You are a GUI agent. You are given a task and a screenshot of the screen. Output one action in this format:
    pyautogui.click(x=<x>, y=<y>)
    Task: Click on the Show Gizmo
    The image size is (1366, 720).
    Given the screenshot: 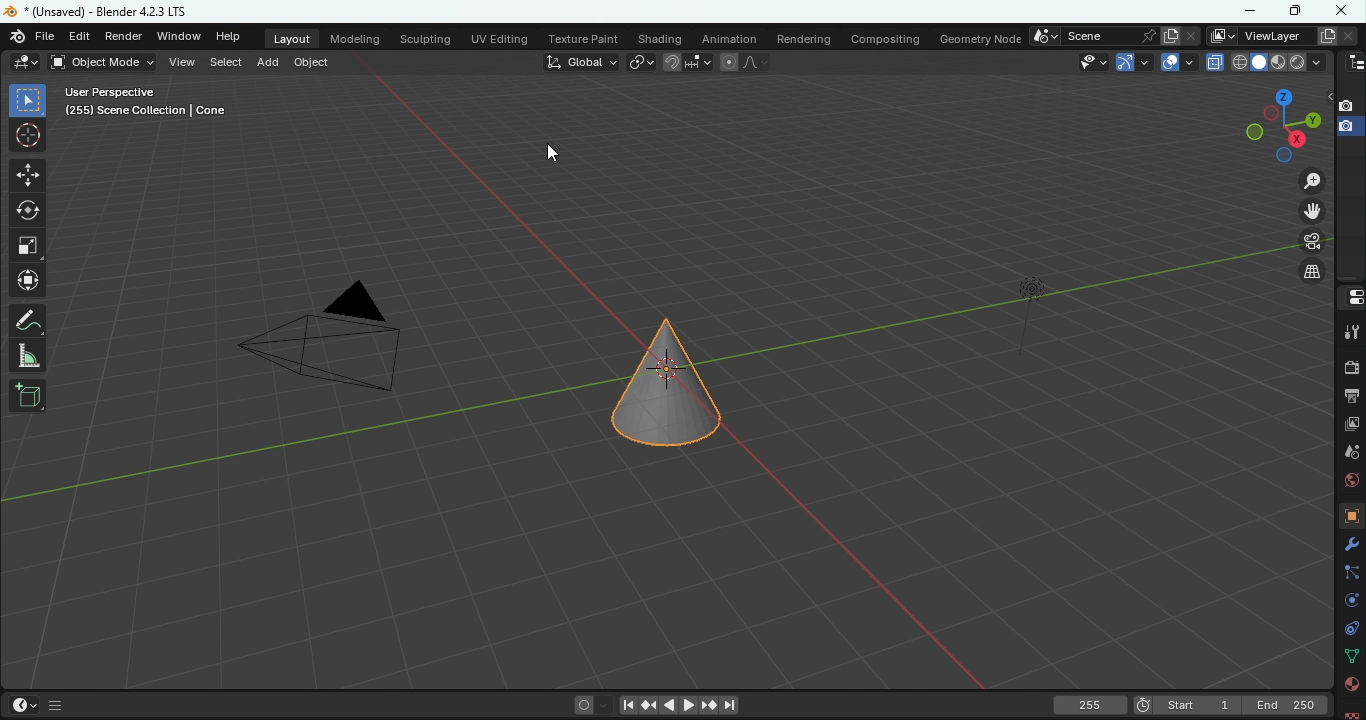 What is the action you would take?
    pyautogui.click(x=1125, y=63)
    